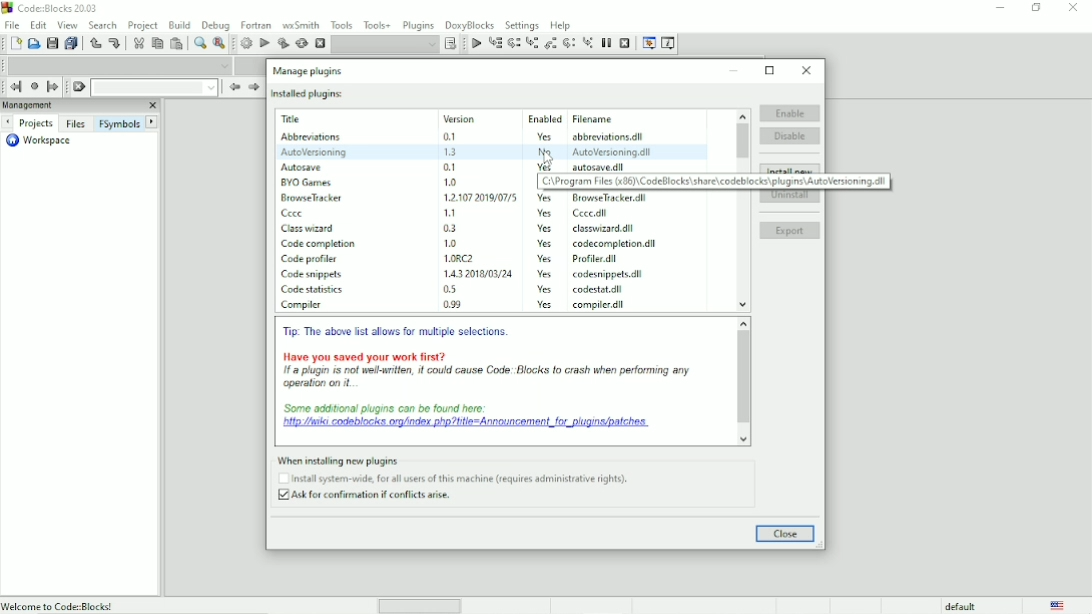 The height and width of the screenshot is (614, 1092). What do you see at coordinates (36, 123) in the screenshot?
I see `Projects` at bounding box center [36, 123].